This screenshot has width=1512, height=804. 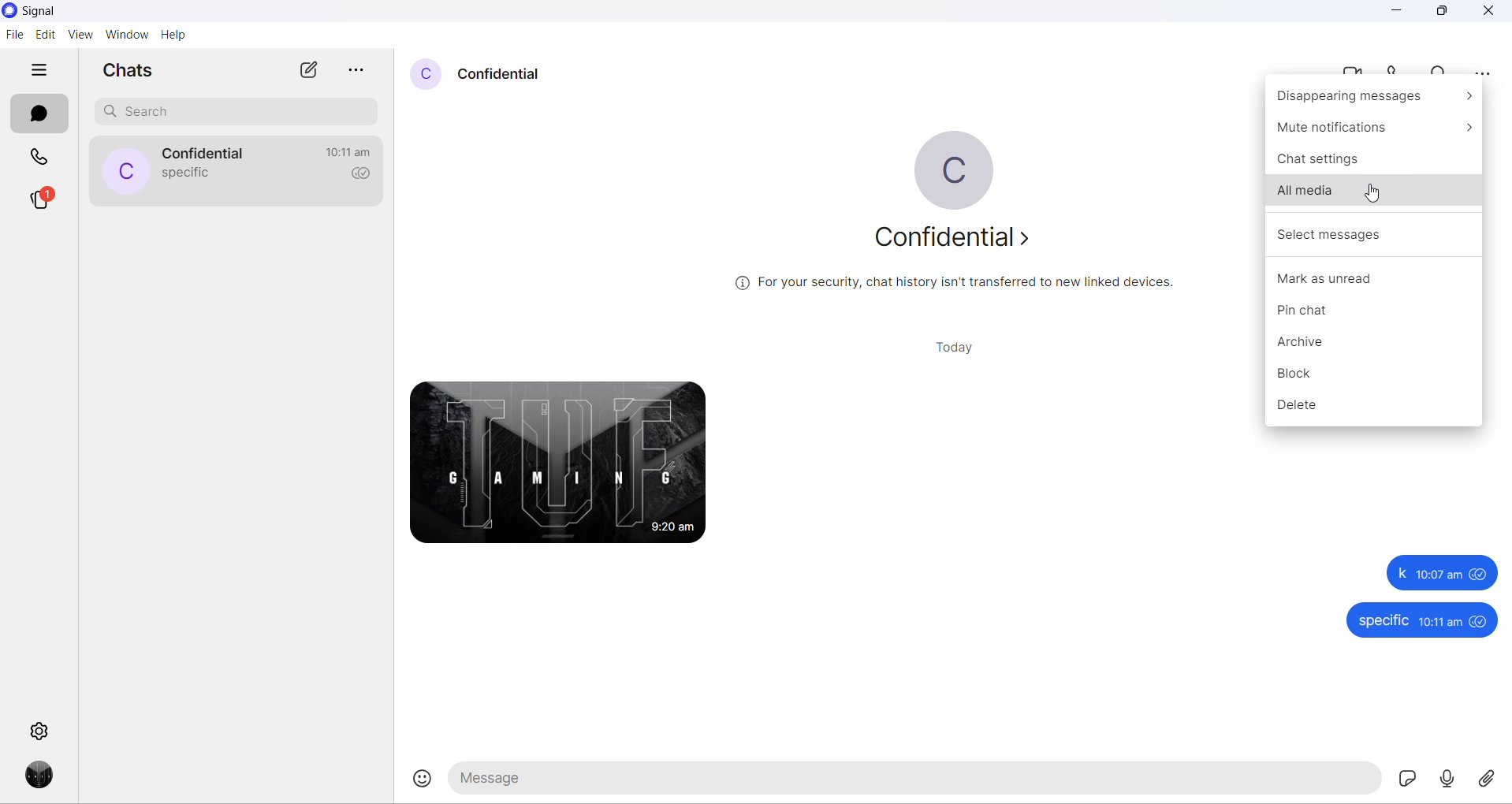 I want to click on close, so click(x=1489, y=11).